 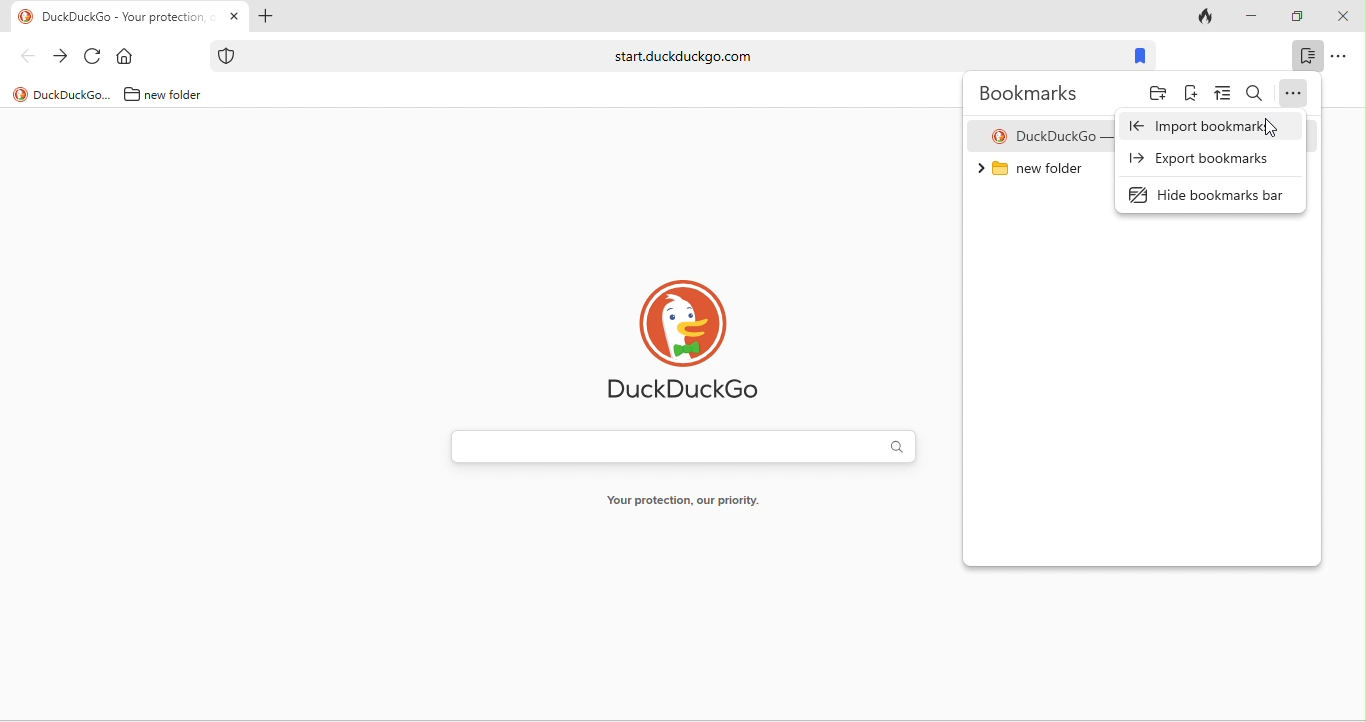 I want to click on add tab, so click(x=264, y=18).